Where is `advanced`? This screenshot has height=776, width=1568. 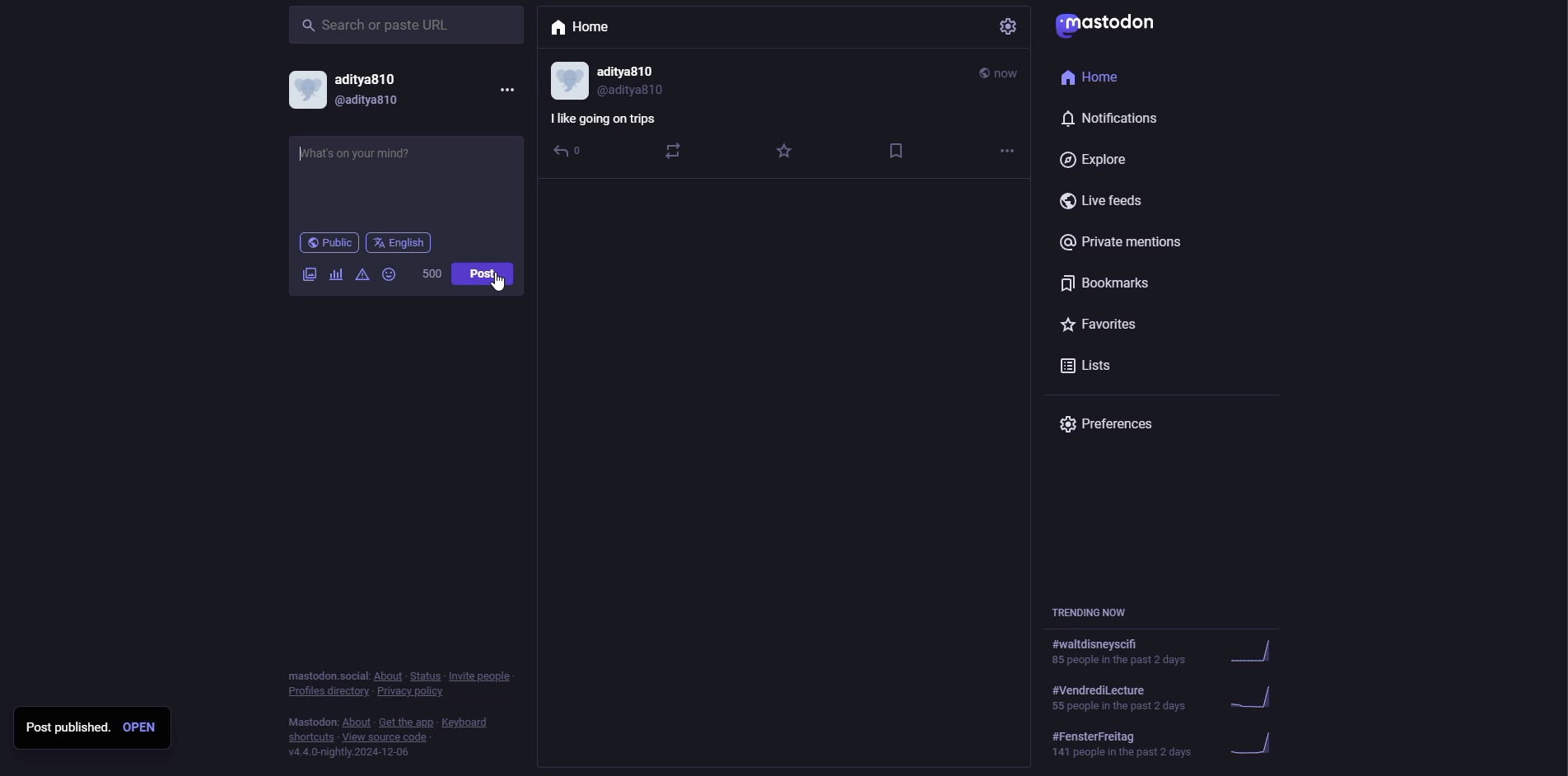
advanced is located at coordinates (362, 276).